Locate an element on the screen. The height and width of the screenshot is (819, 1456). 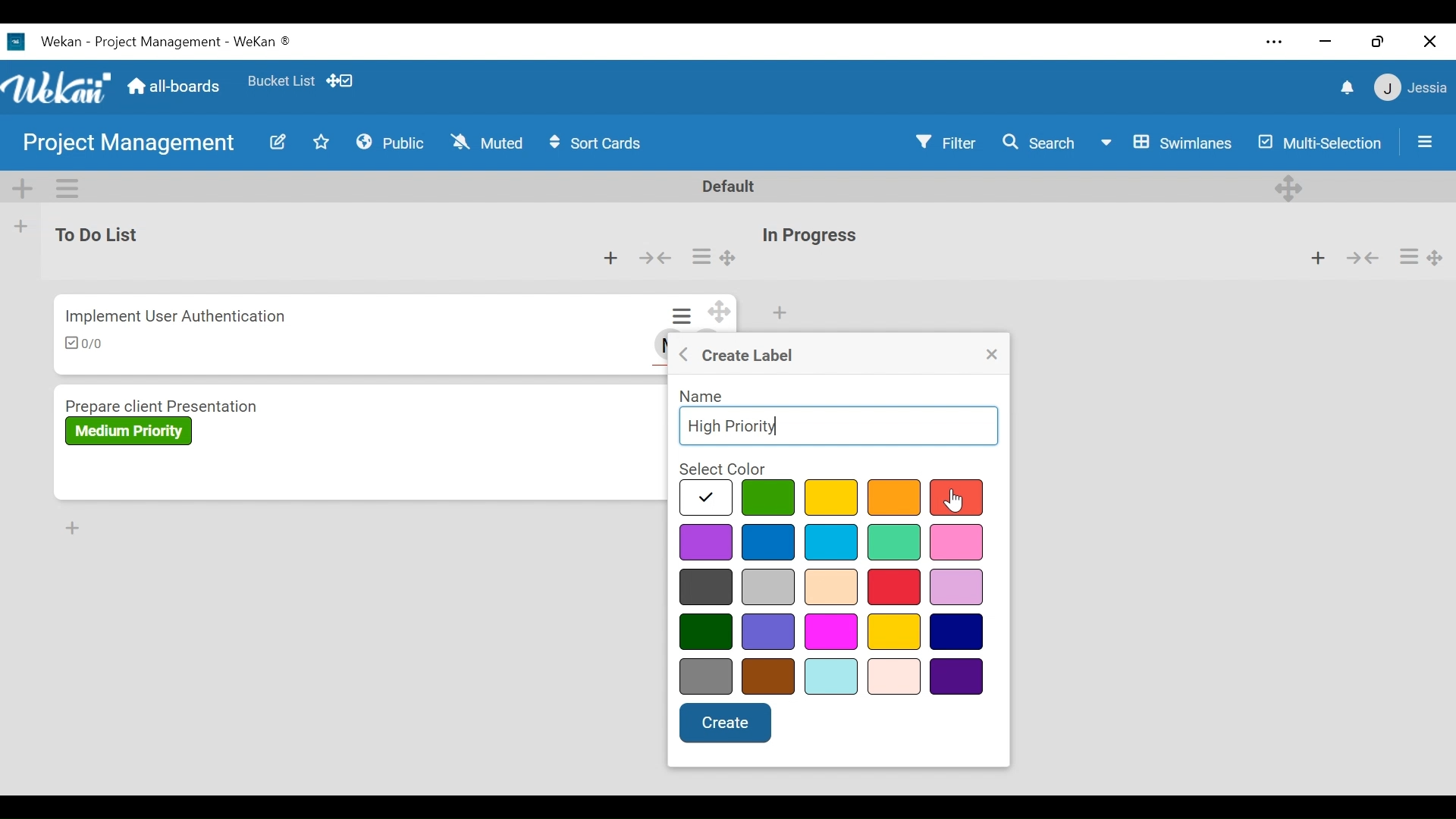
Edit is located at coordinates (277, 142).